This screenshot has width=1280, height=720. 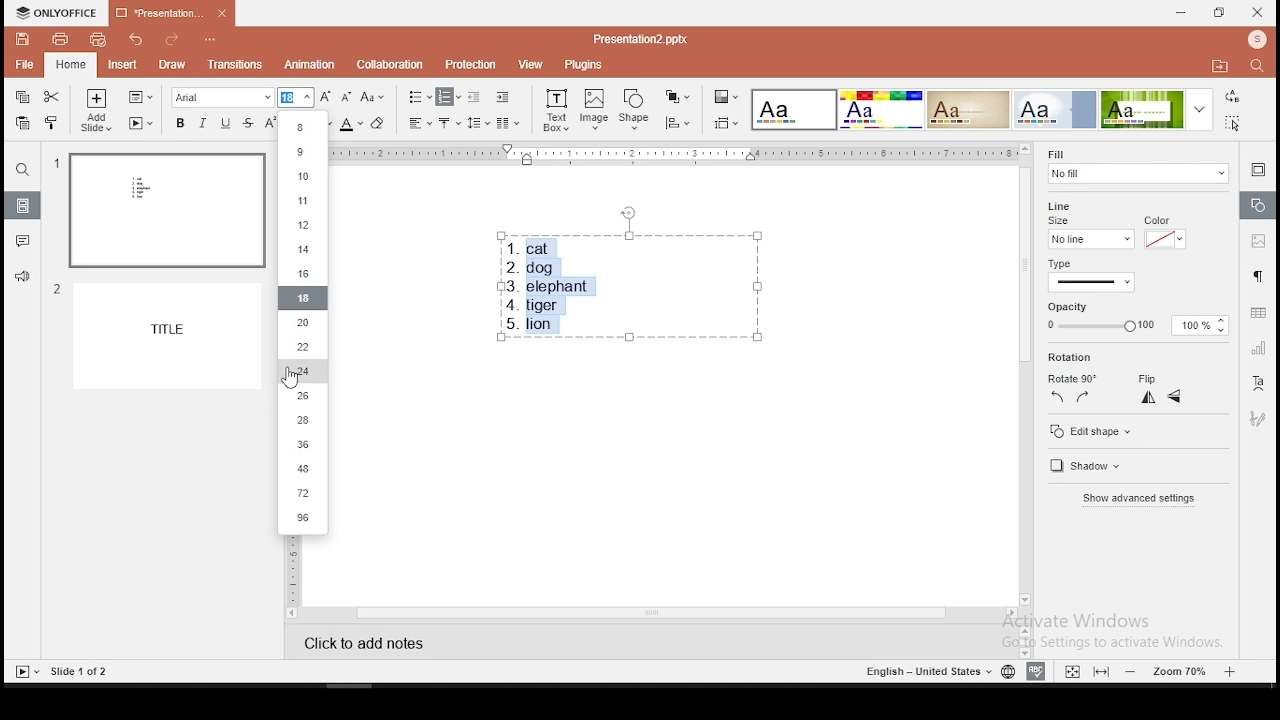 I want to click on 24, so click(x=302, y=371).